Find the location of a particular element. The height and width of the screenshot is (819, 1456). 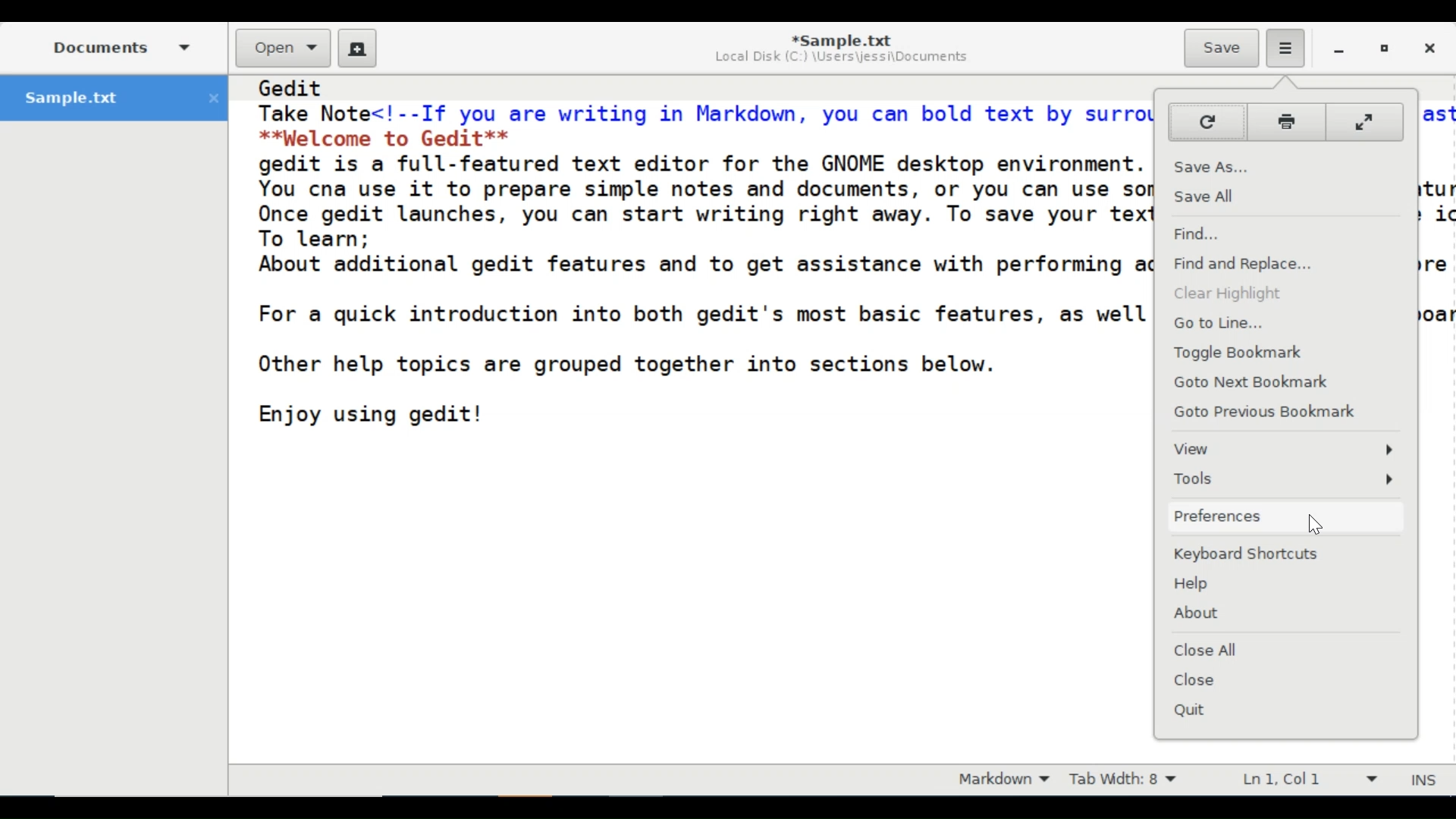

Preferences is located at coordinates (1285, 516).